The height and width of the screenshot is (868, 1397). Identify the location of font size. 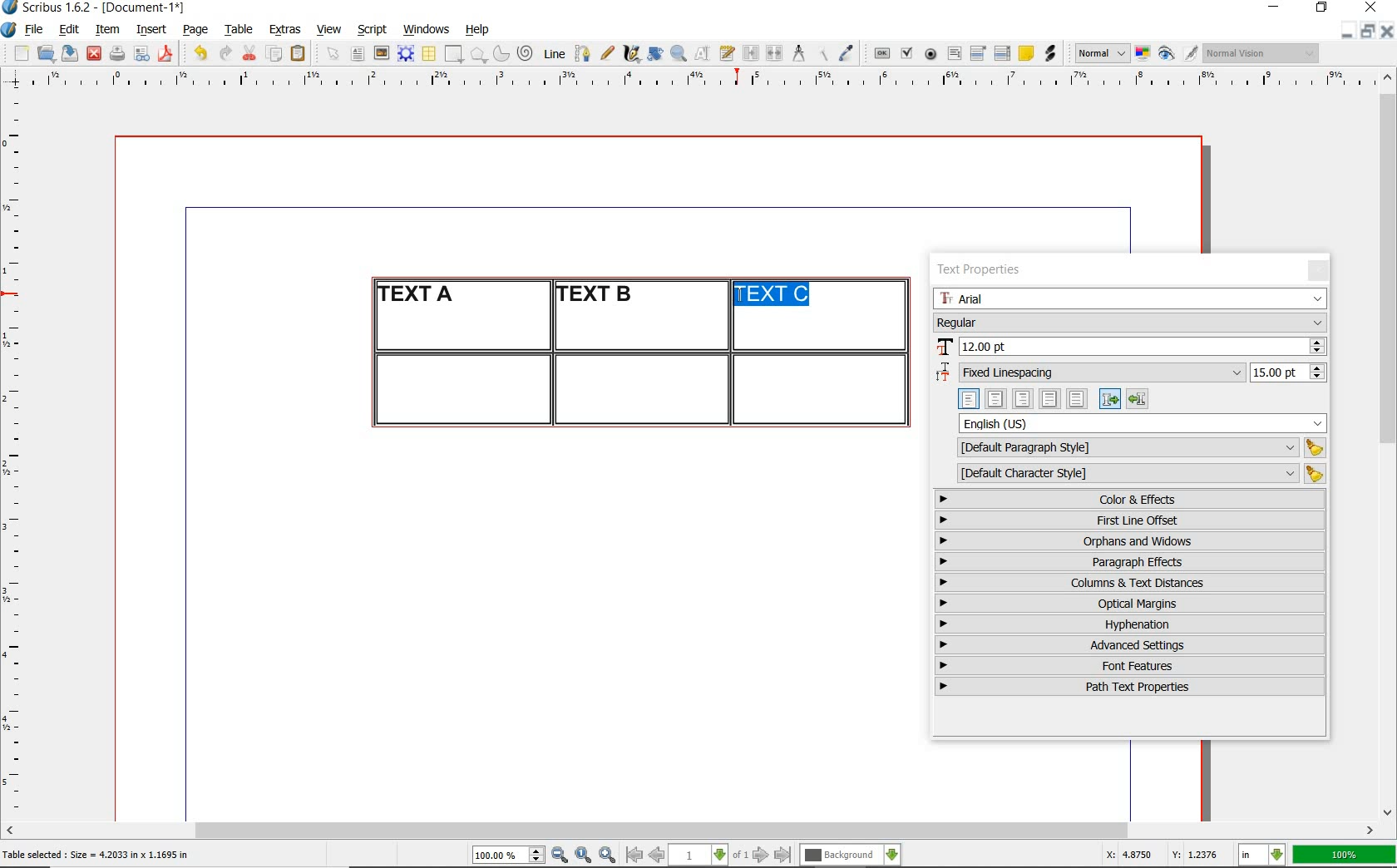
(1130, 348).